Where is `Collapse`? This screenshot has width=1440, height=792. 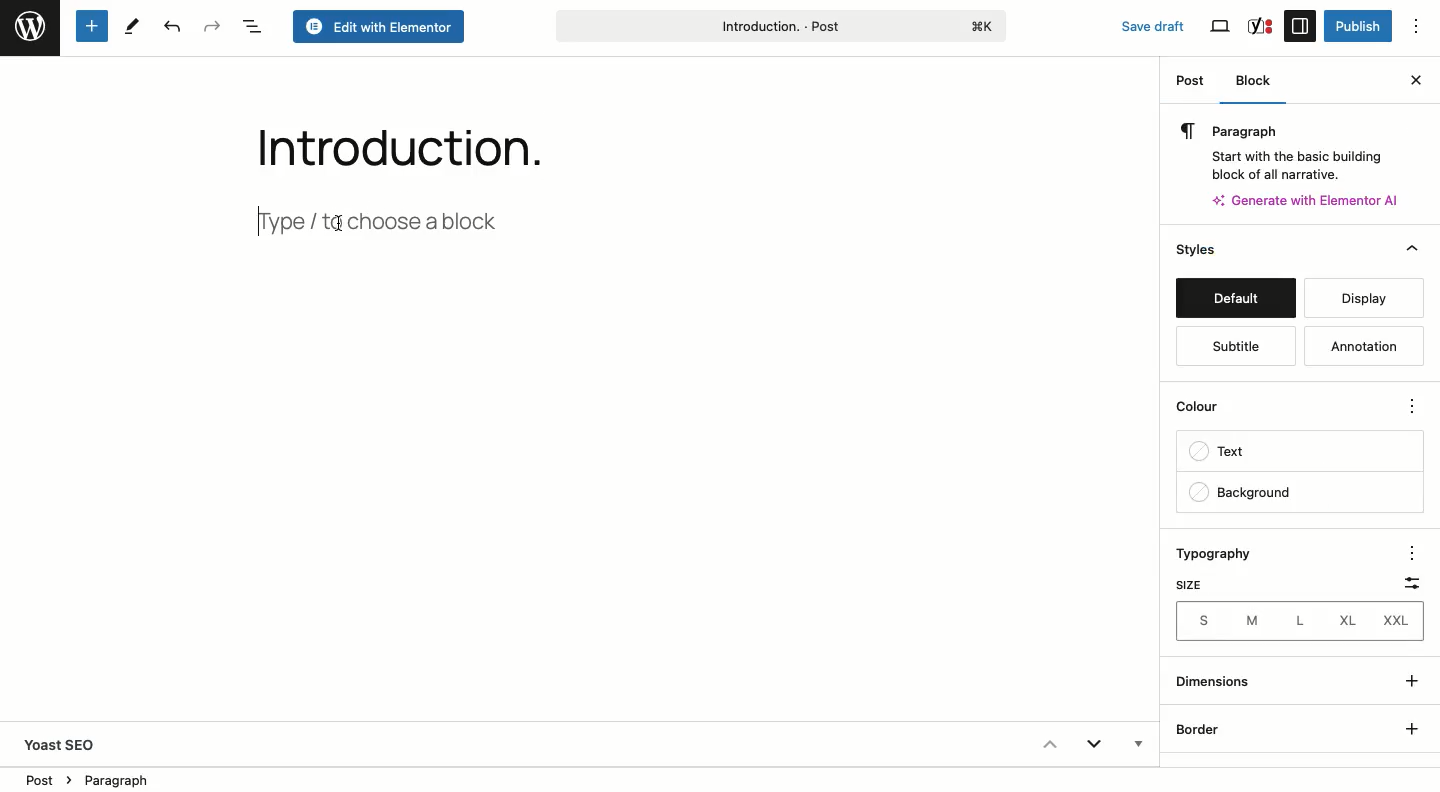
Collapse is located at coordinates (1412, 249).